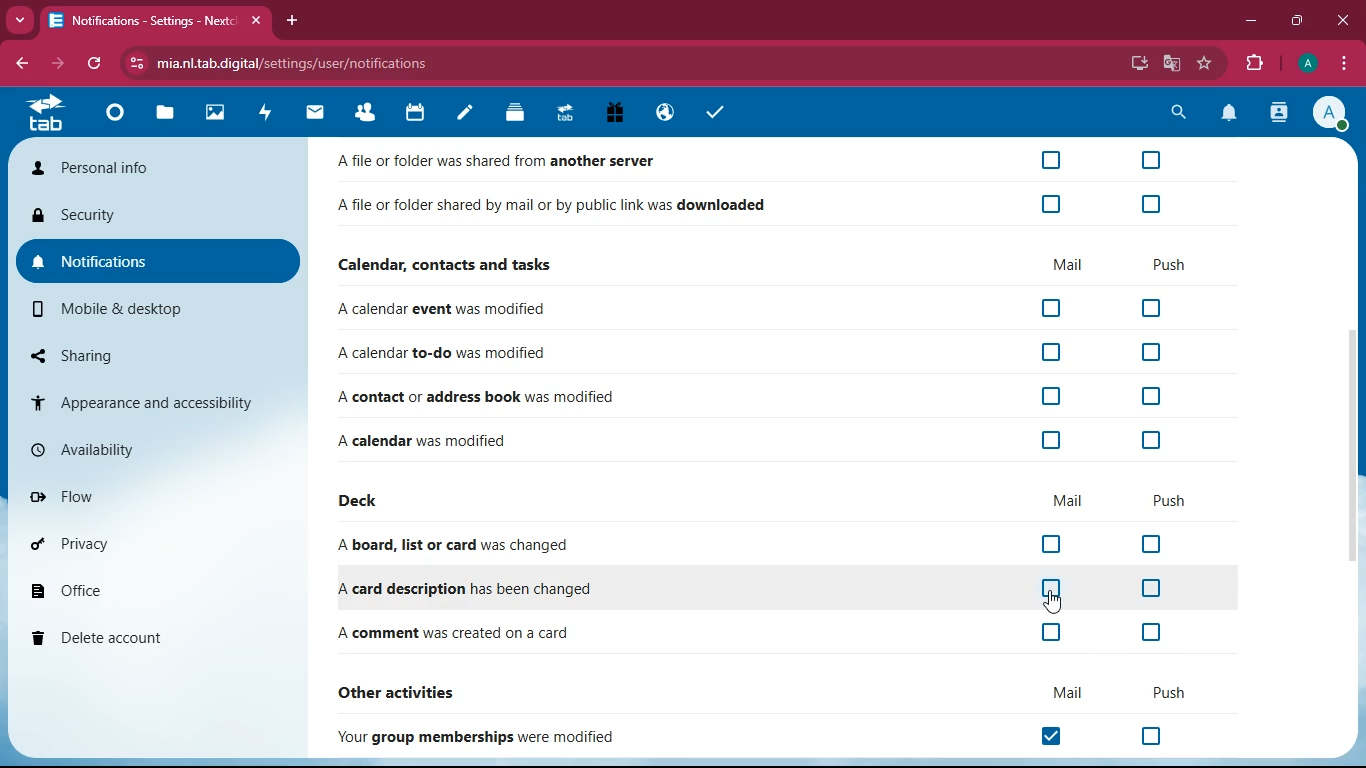 This screenshot has height=768, width=1366. Describe the element at coordinates (1172, 63) in the screenshot. I see `google translate` at that location.